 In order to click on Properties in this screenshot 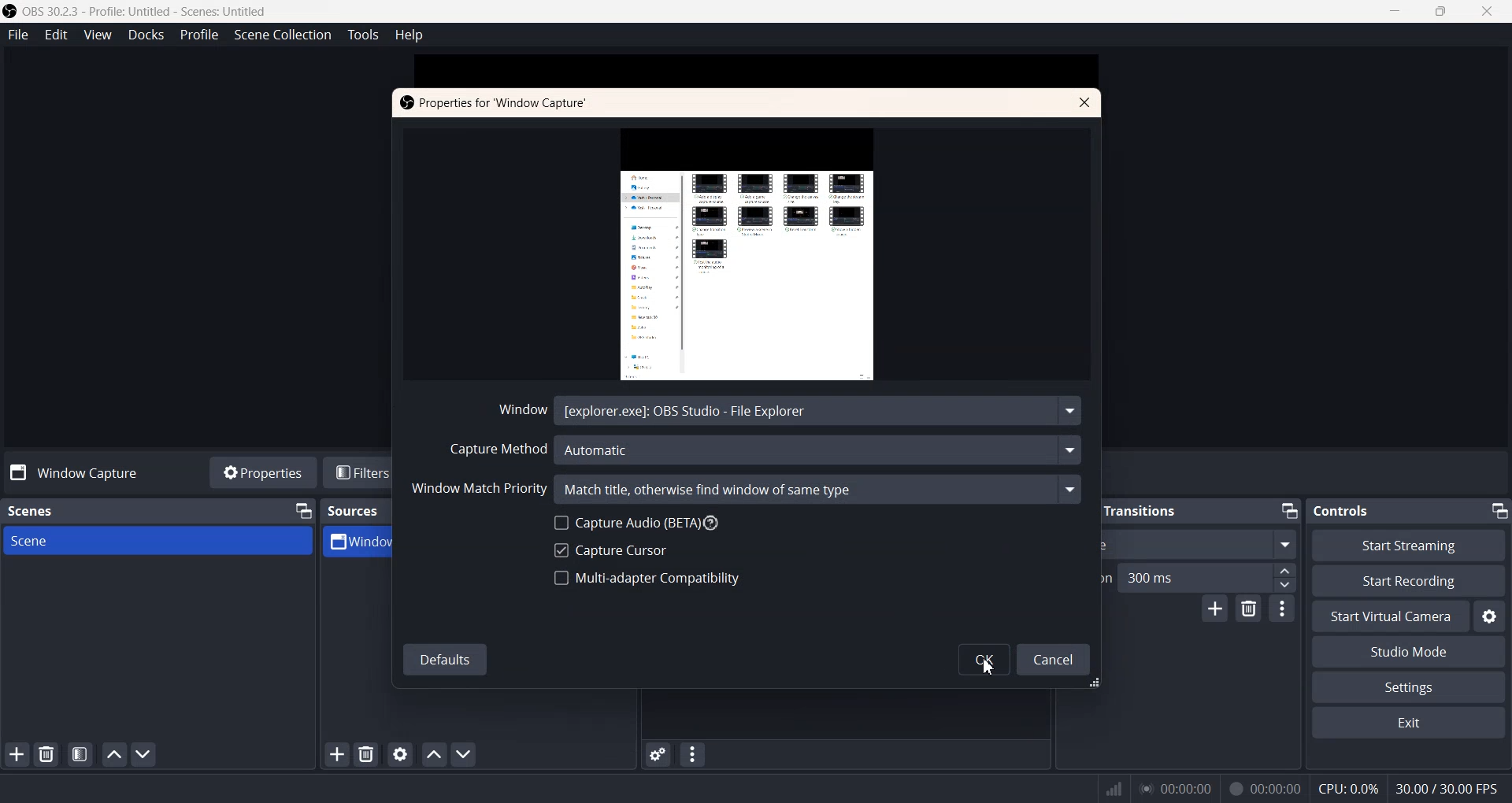, I will do `click(261, 472)`.